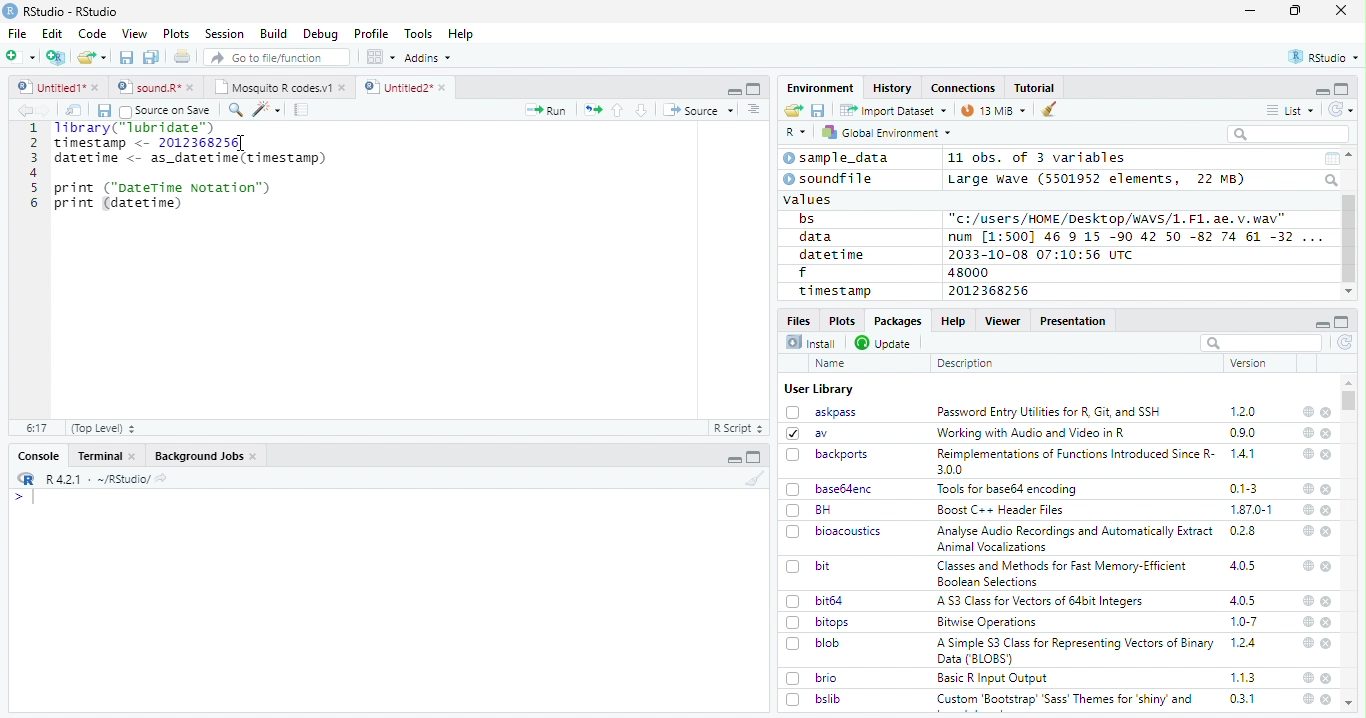 The width and height of the screenshot is (1366, 718). Describe the element at coordinates (156, 88) in the screenshot. I see `sound.R*` at that location.